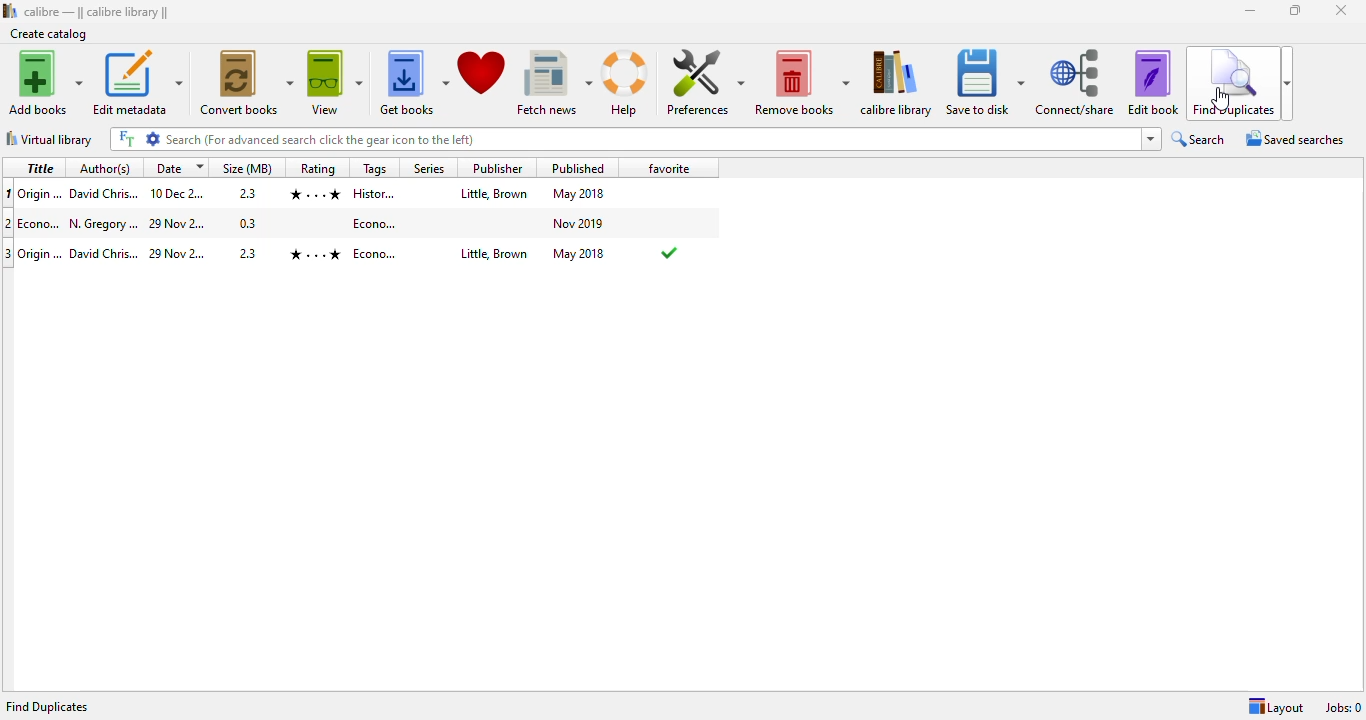 This screenshot has height=720, width=1366. What do you see at coordinates (248, 167) in the screenshot?
I see `size (MB)` at bounding box center [248, 167].